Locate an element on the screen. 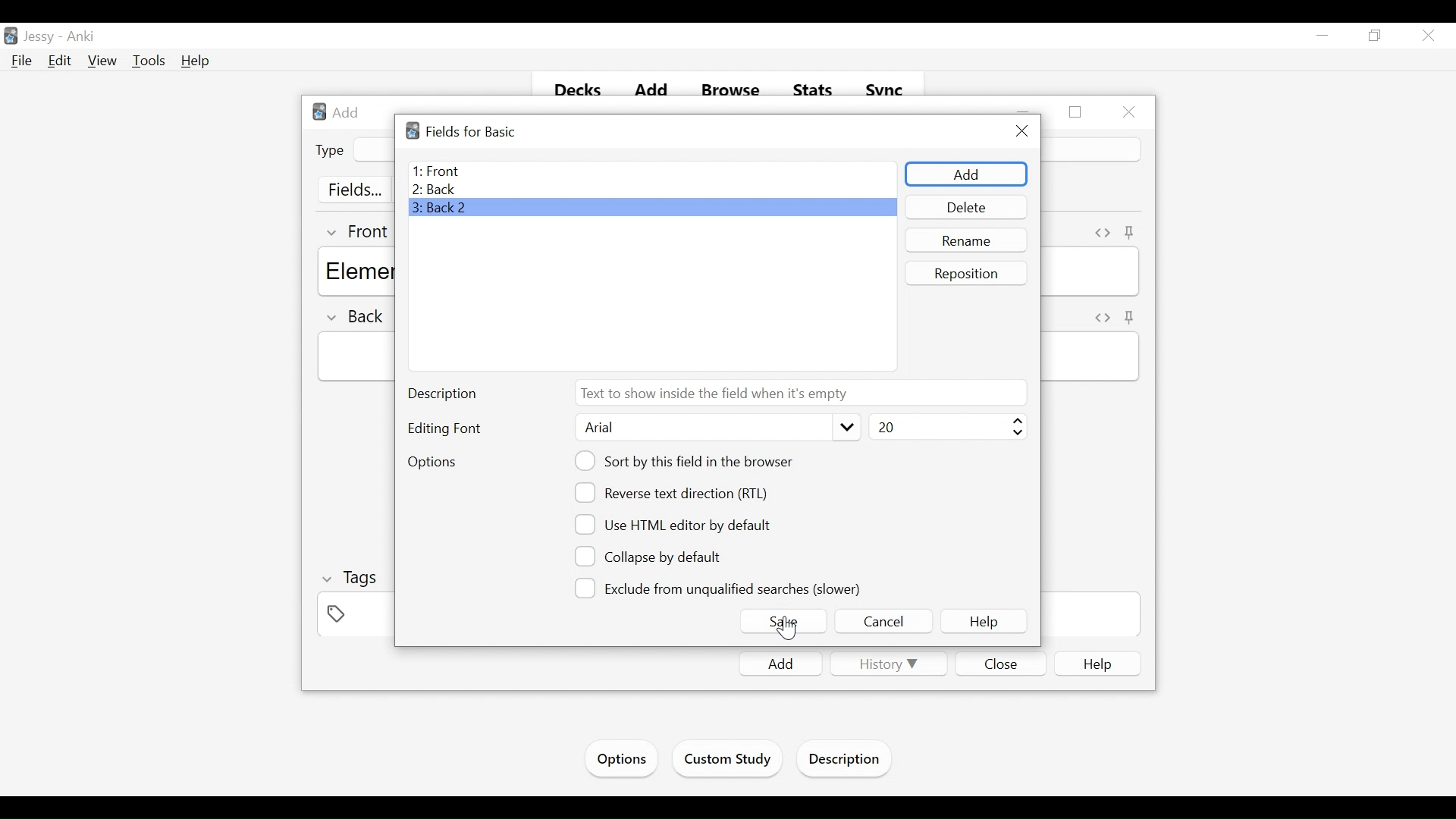 The width and height of the screenshot is (1456, 819). Editing Font is located at coordinates (451, 429).